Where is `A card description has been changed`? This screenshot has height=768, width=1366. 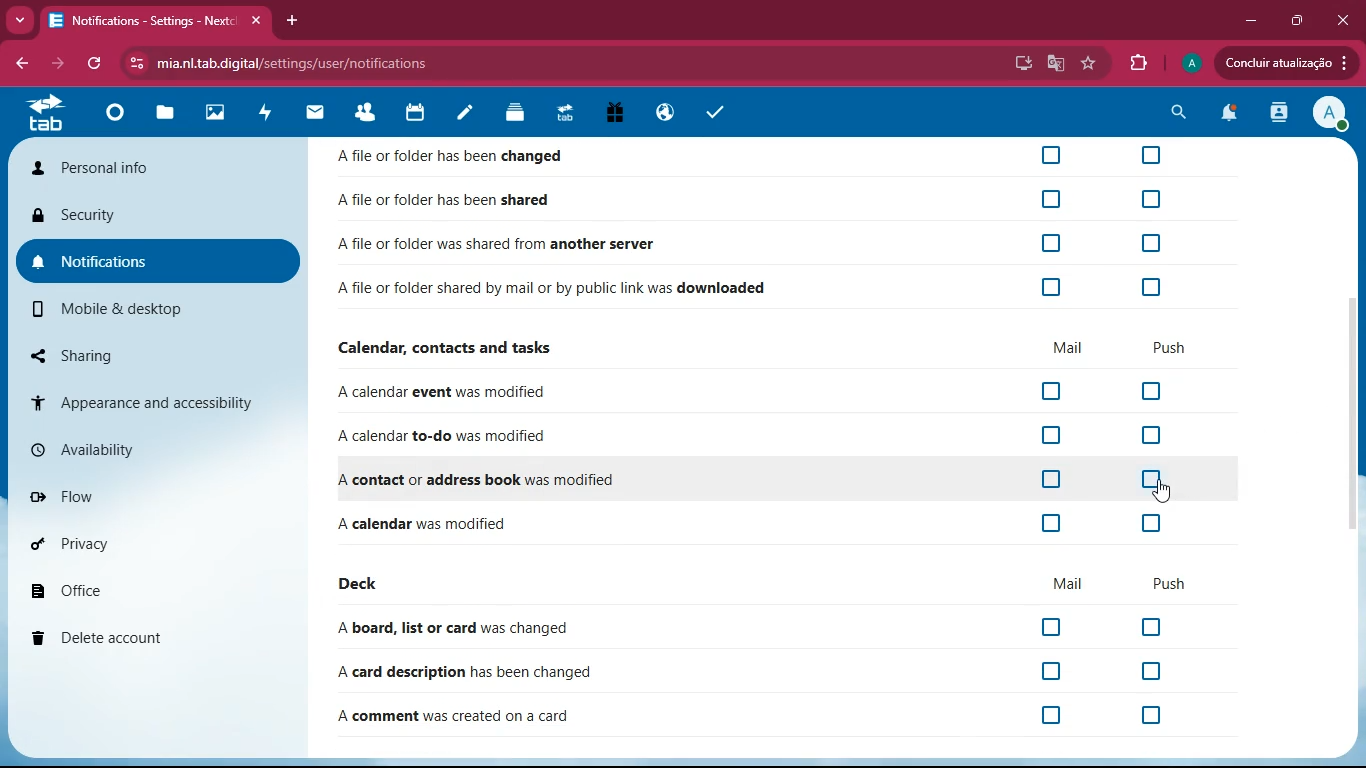 A card description has been changed is located at coordinates (463, 671).